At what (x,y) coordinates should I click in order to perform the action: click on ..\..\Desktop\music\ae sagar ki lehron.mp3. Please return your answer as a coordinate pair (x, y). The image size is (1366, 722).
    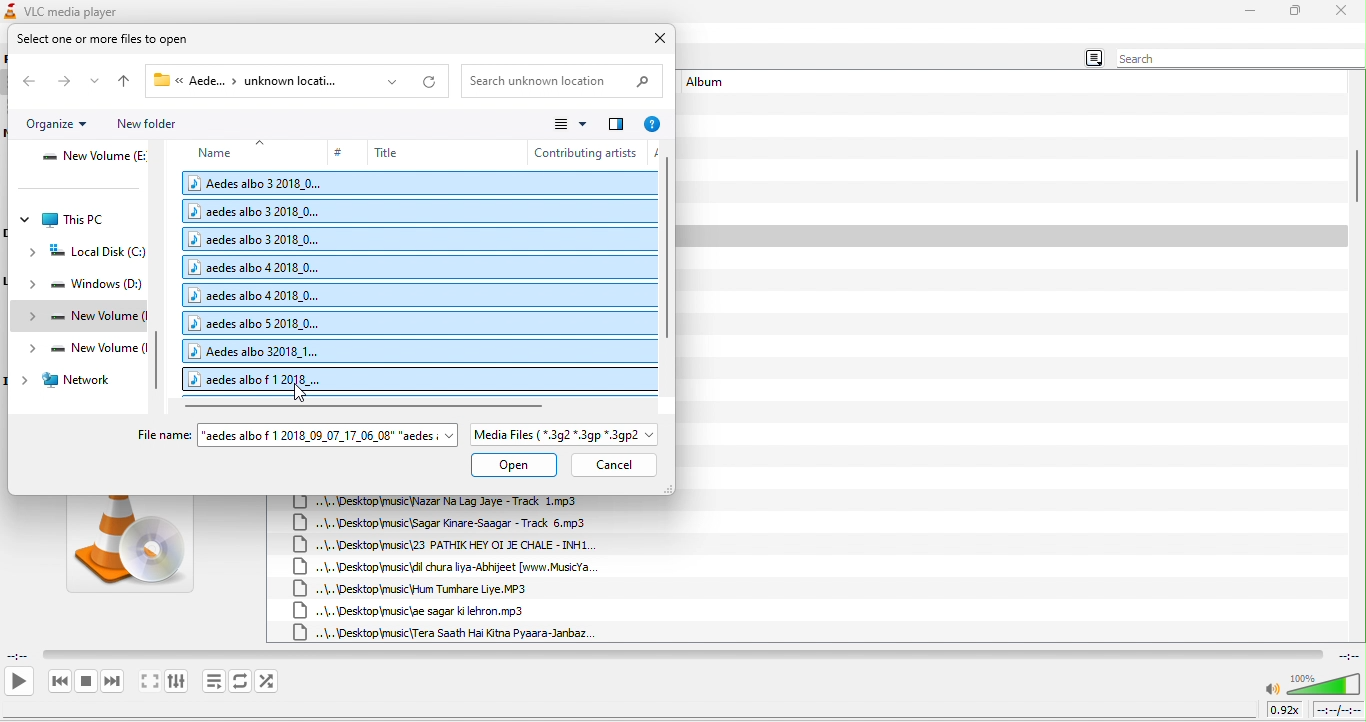
    Looking at the image, I should click on (418, 611).